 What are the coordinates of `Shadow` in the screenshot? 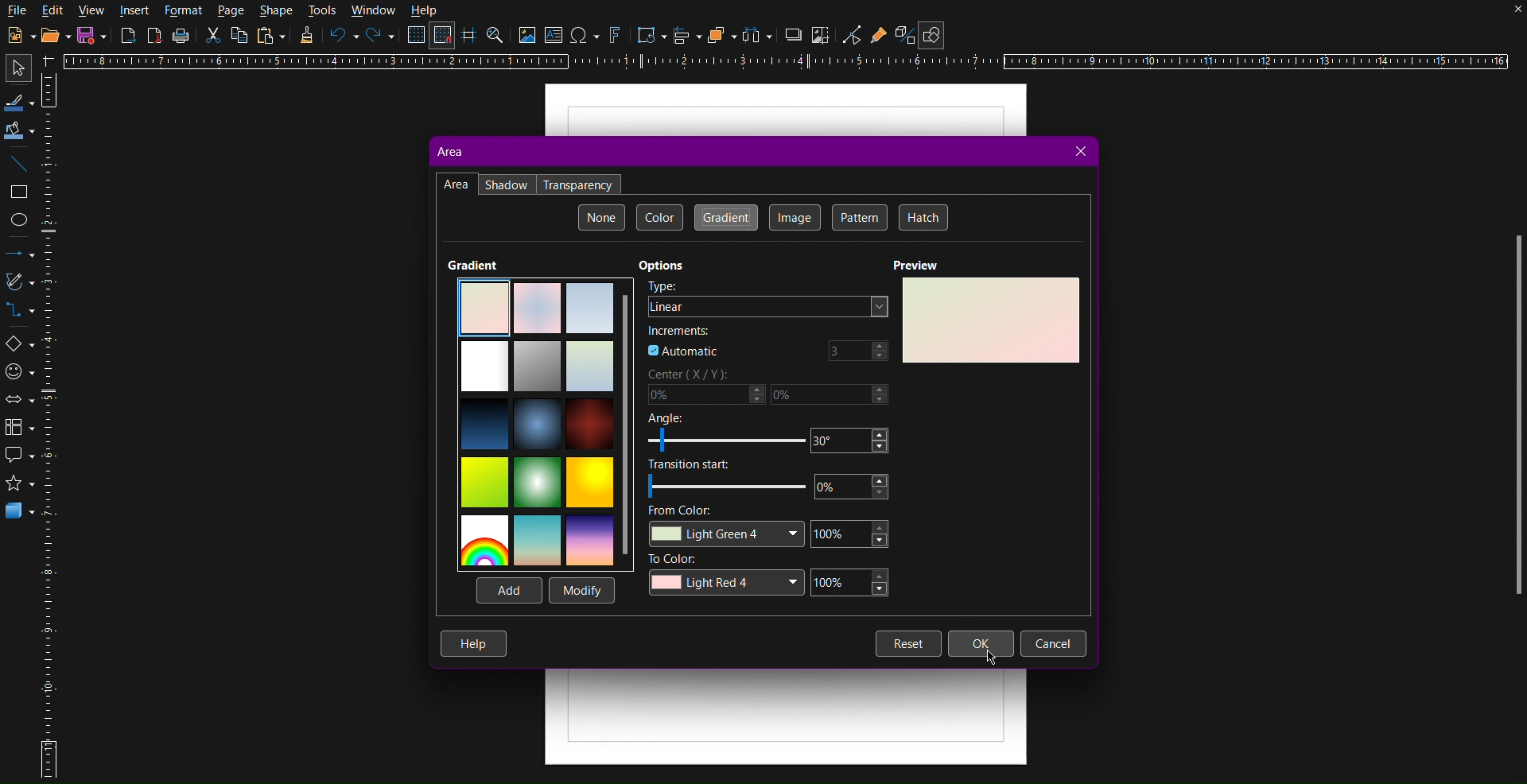 It's located at (507, 184).